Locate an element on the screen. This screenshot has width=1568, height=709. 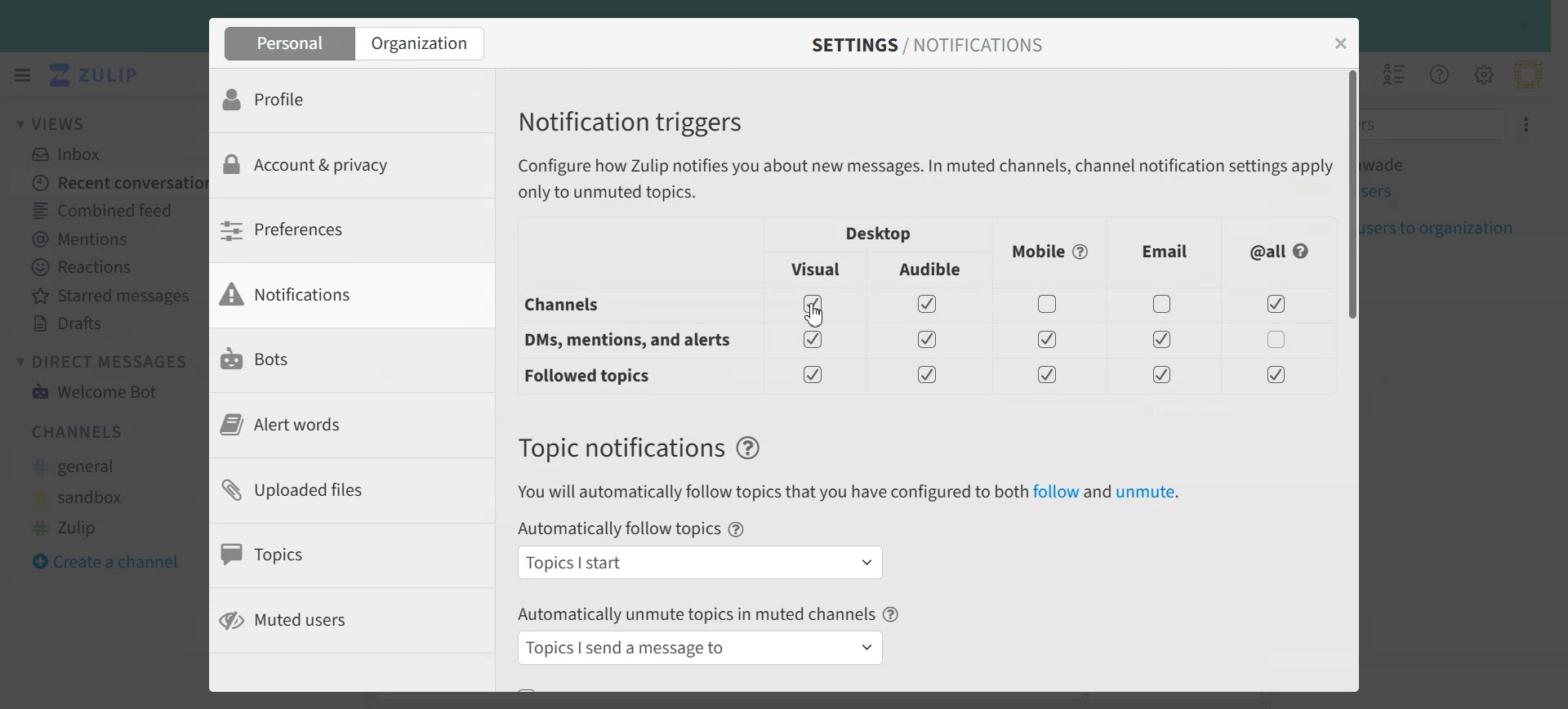
Help is located at coordinates (737, 529).